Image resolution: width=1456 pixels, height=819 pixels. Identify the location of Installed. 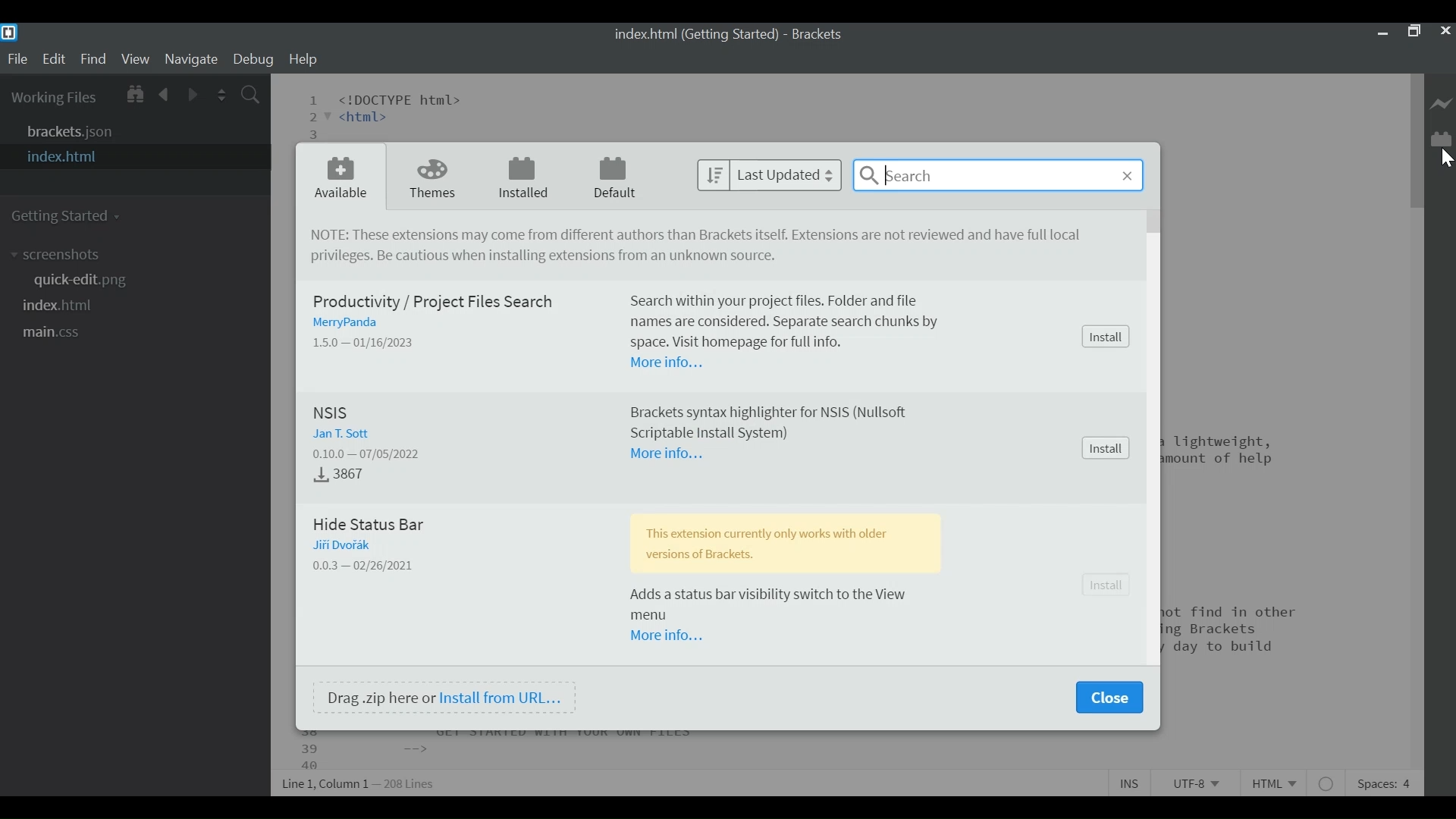
(522, 178).